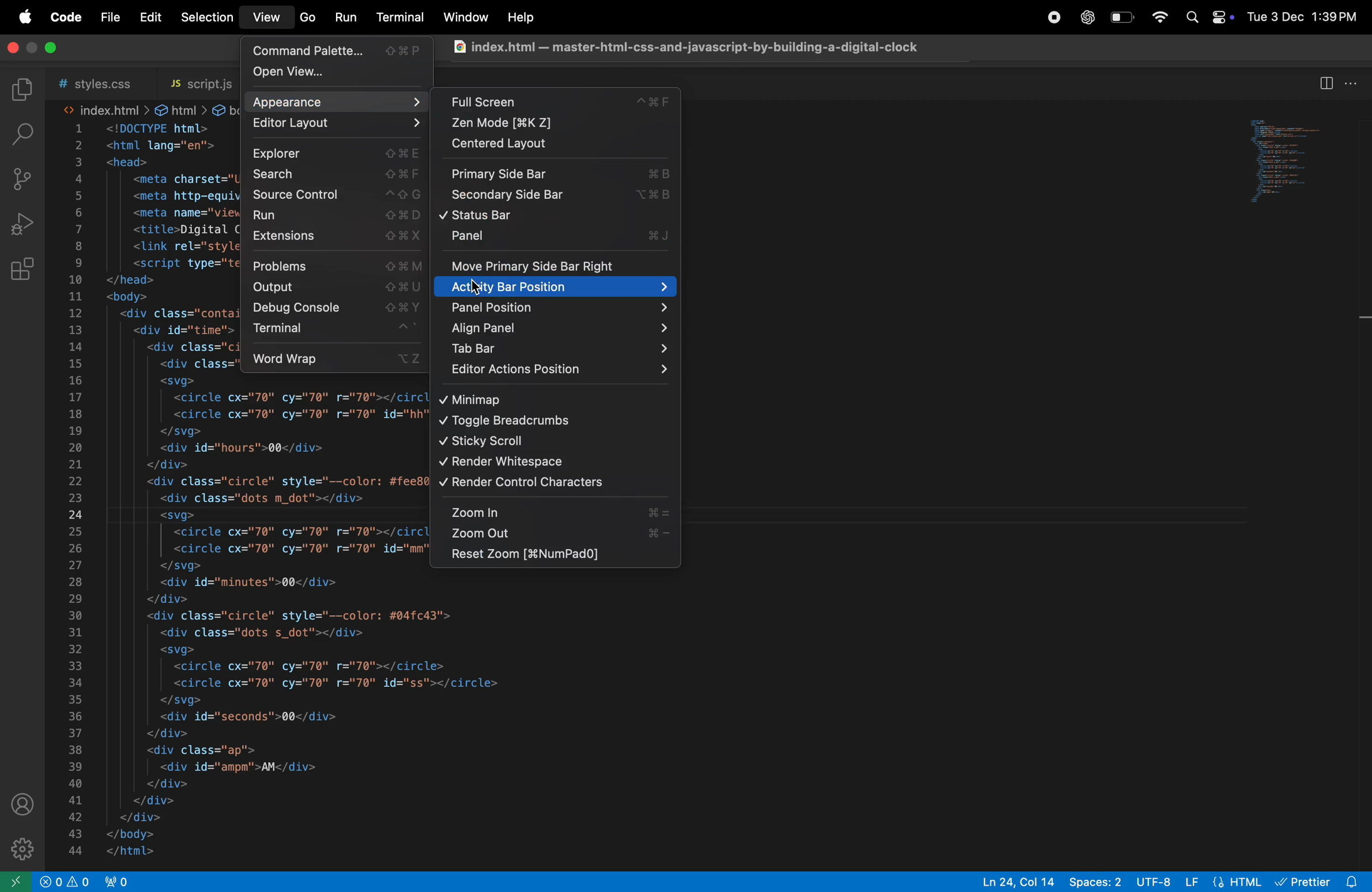 Image resolution: width=1372 pixels, height=892 pixels. I want to click on battery, so click(1123, 19).